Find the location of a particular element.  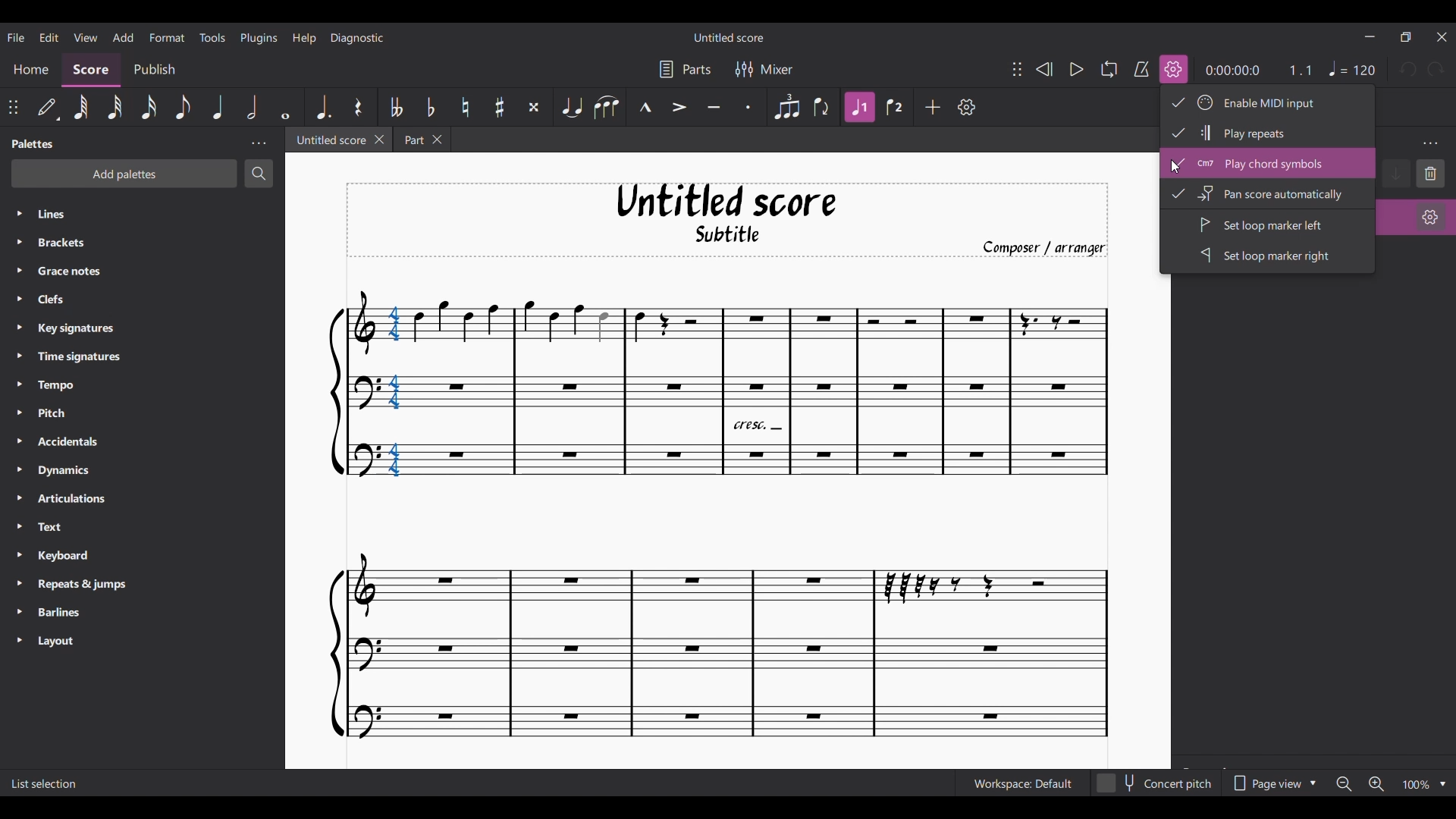

Palette panel settings is located at coordinates (259, 144).